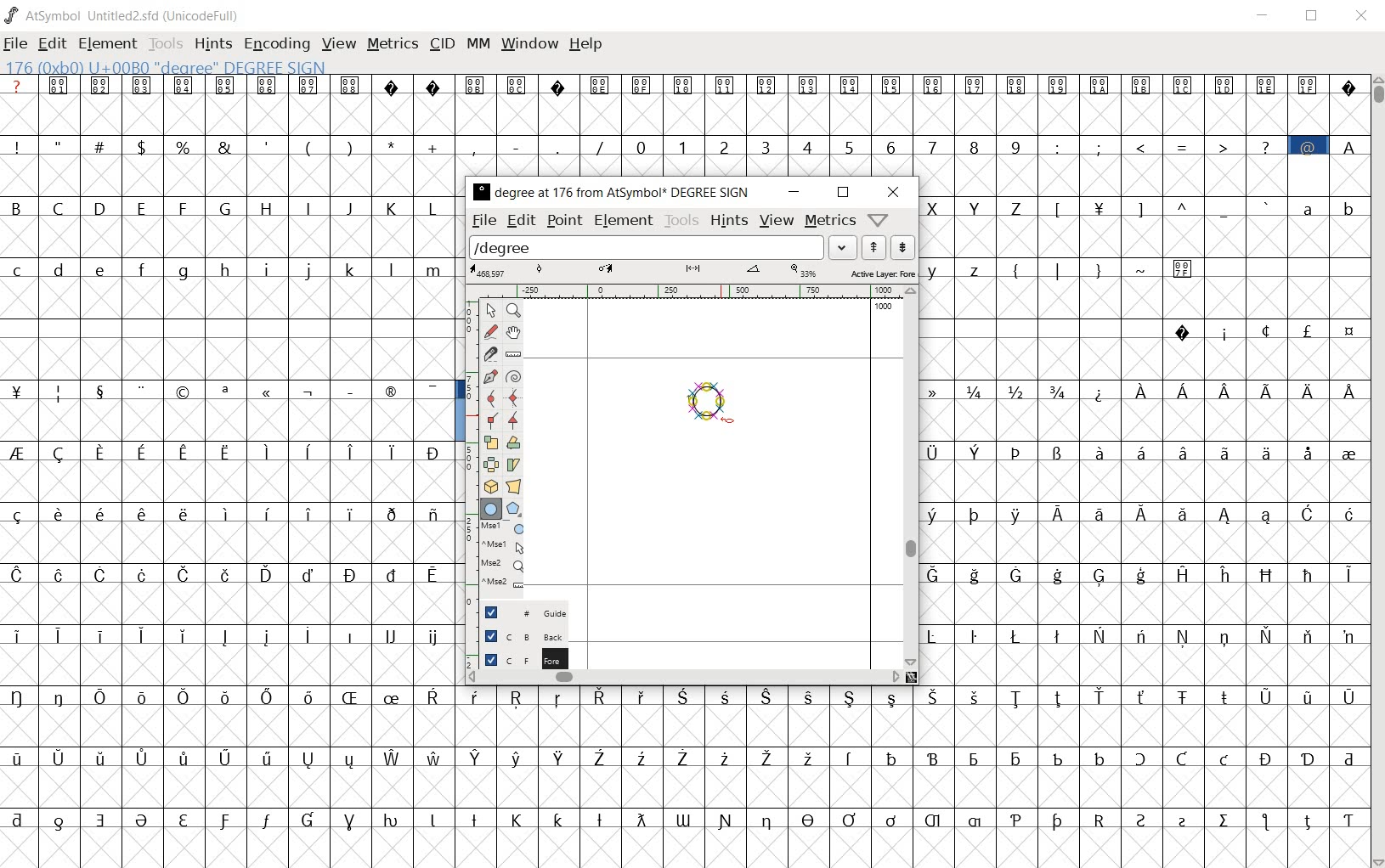 This screenshot has width=1385, height=868. What do you see at coordinates (1225, 392) in the screenshot?
I see `Special letters` at bounding box center [1225, 392].